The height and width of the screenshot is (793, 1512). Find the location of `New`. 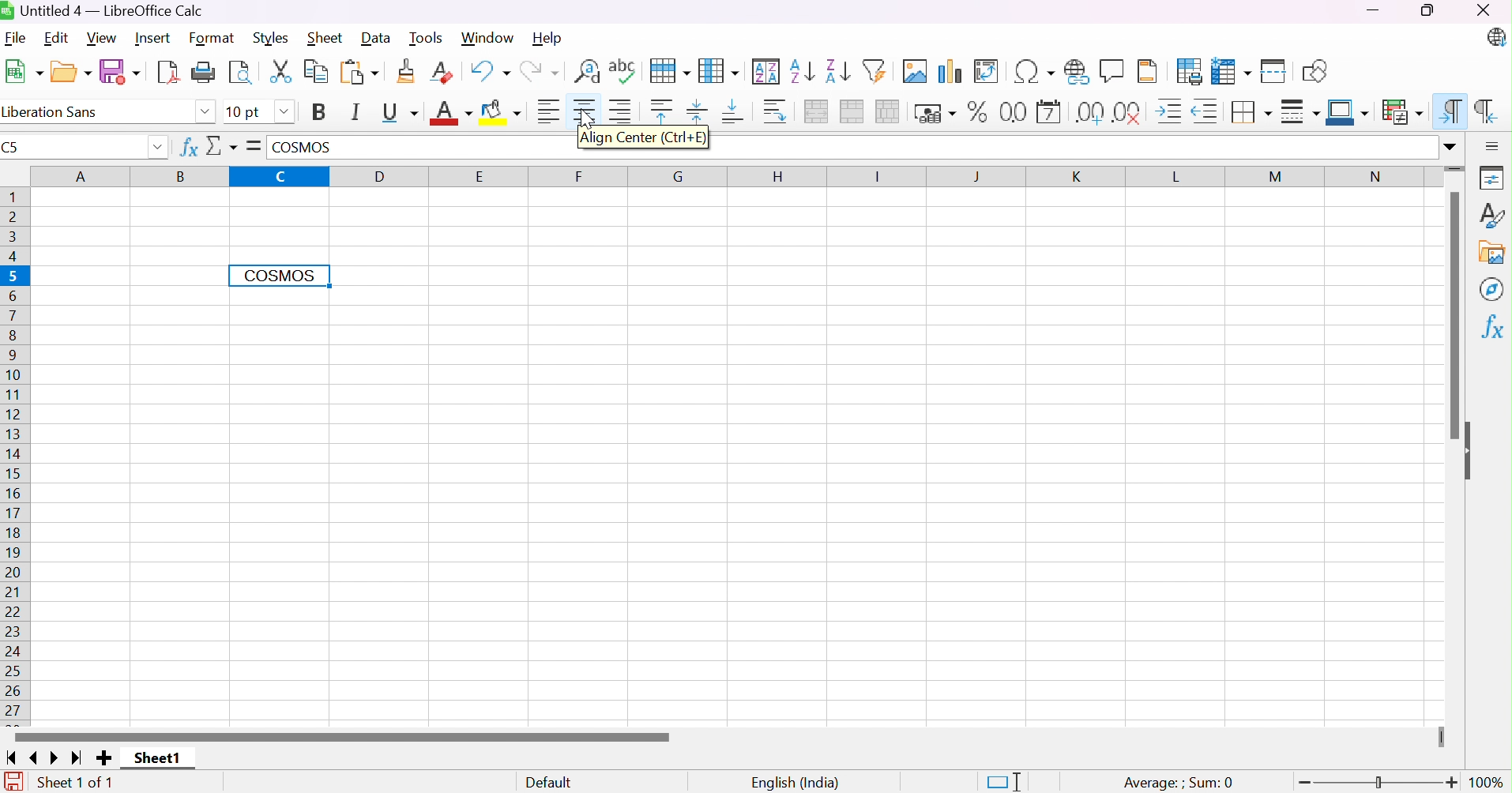

New is located at coordinates (24, 71).